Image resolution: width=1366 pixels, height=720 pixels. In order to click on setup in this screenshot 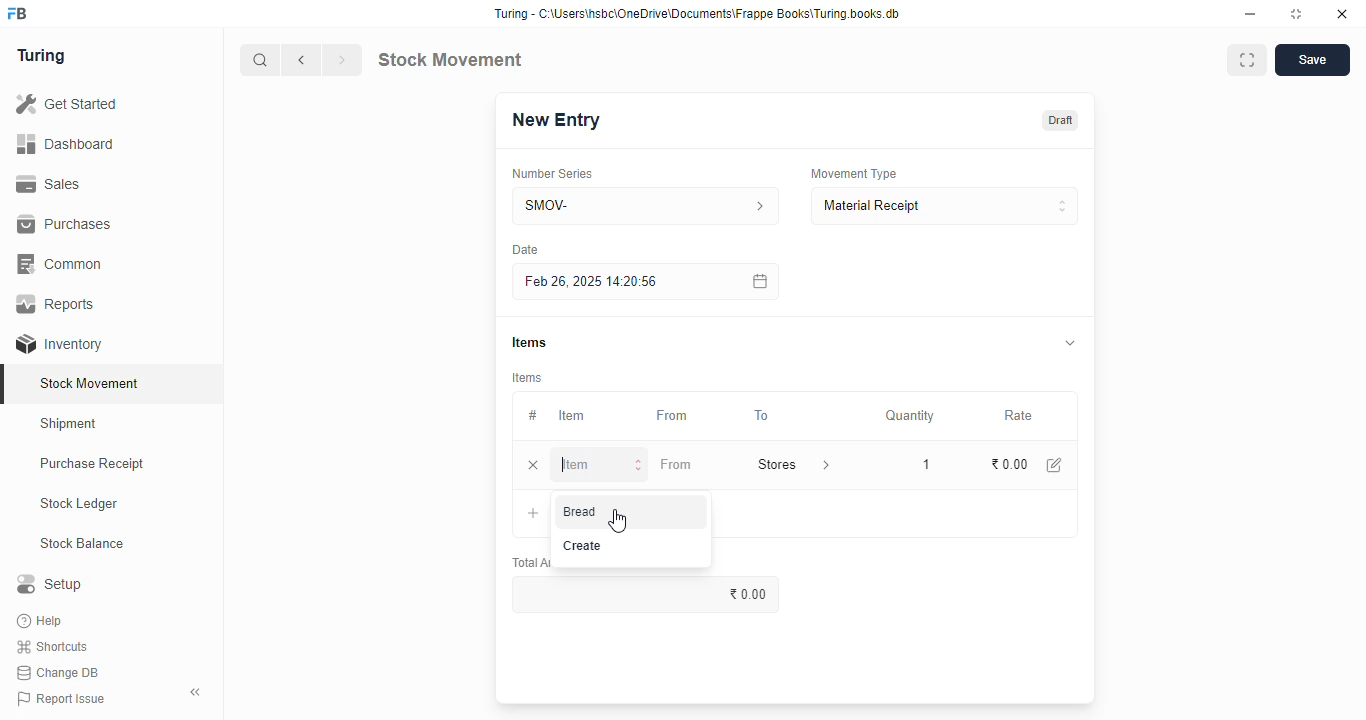, I will do `click(49, 583)`.